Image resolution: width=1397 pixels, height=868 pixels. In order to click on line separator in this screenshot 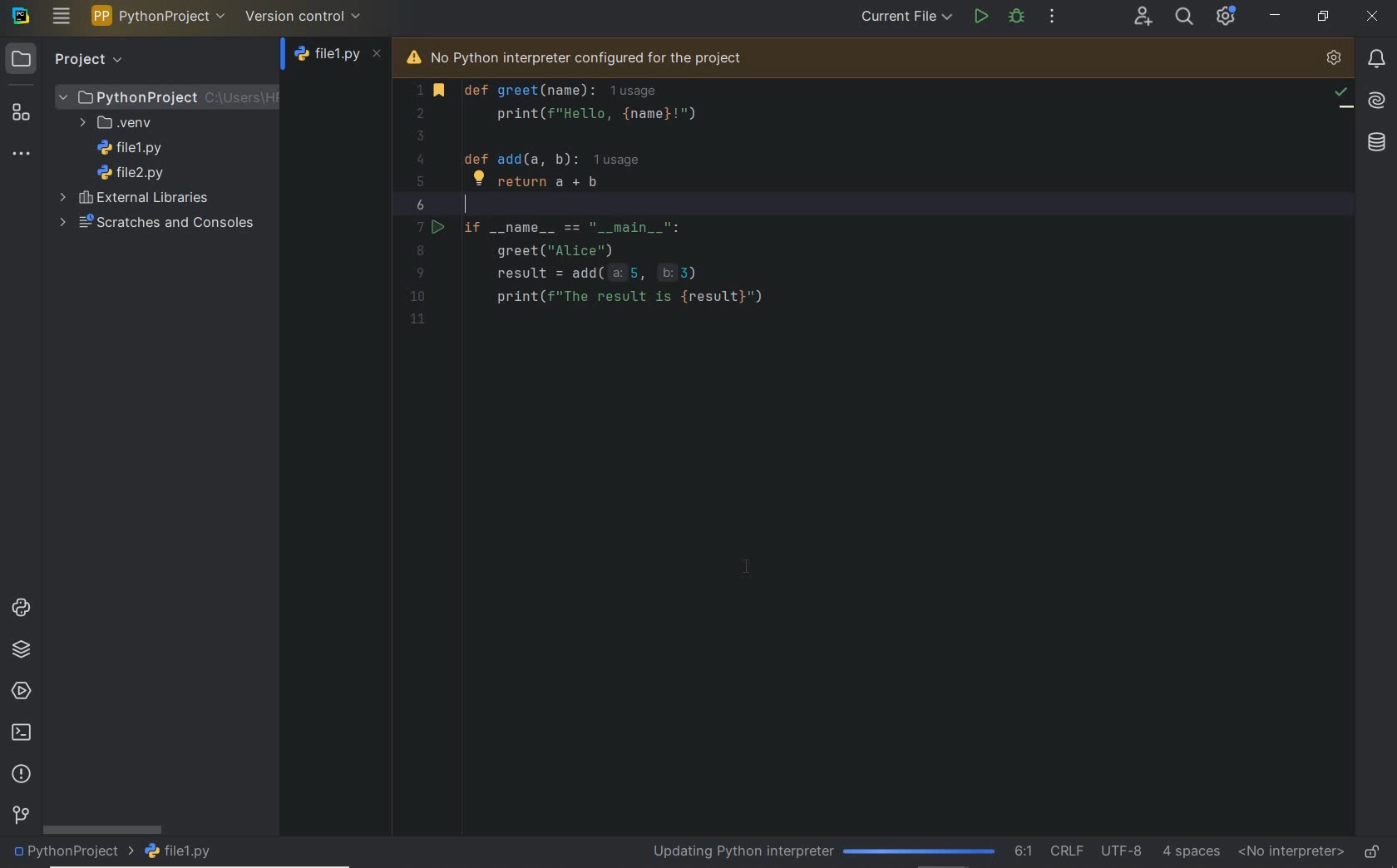, I will do `click(1066, 850)`.